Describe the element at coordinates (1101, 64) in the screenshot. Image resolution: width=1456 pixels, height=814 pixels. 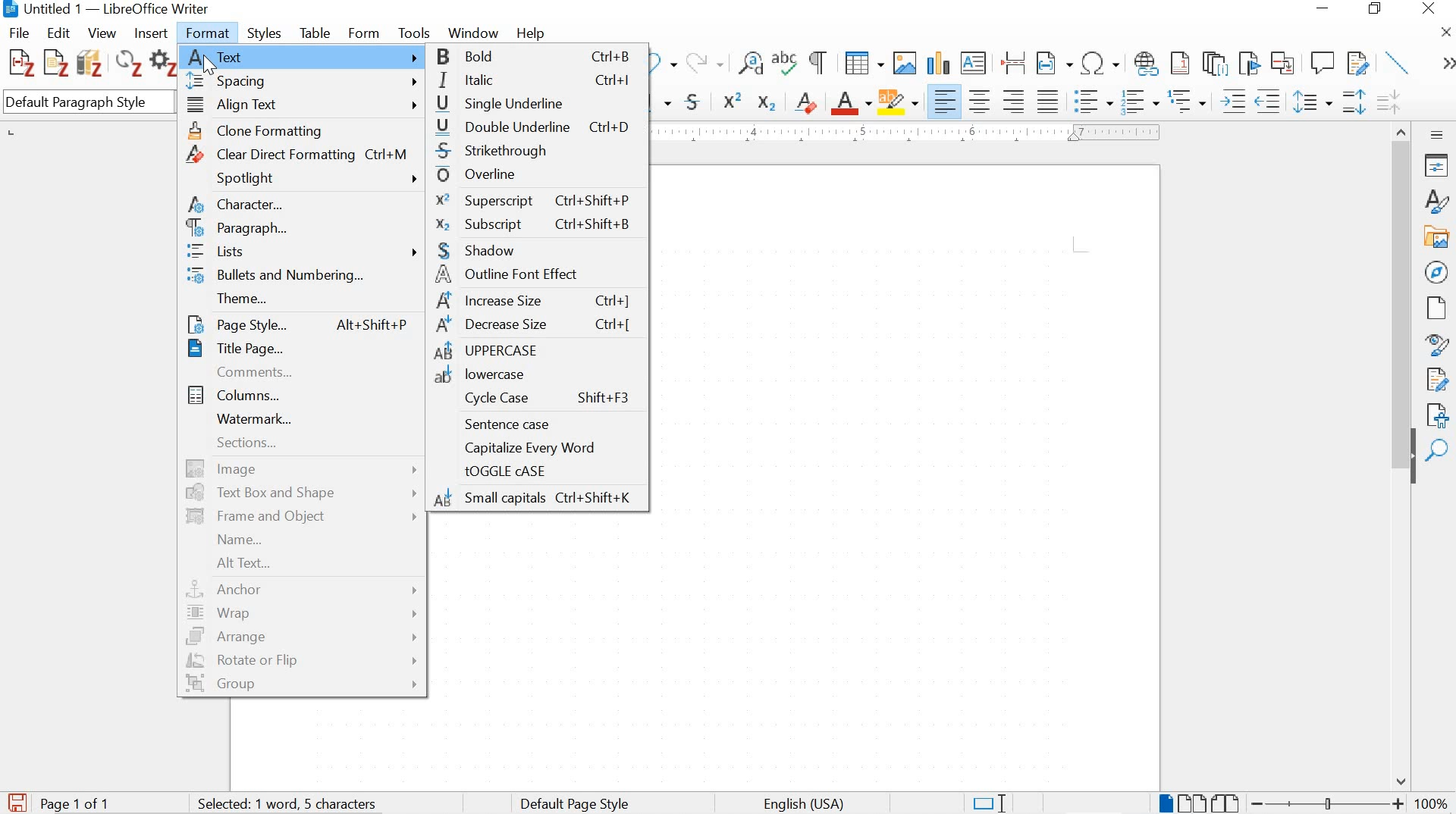
I see `insert special characters` at that location.